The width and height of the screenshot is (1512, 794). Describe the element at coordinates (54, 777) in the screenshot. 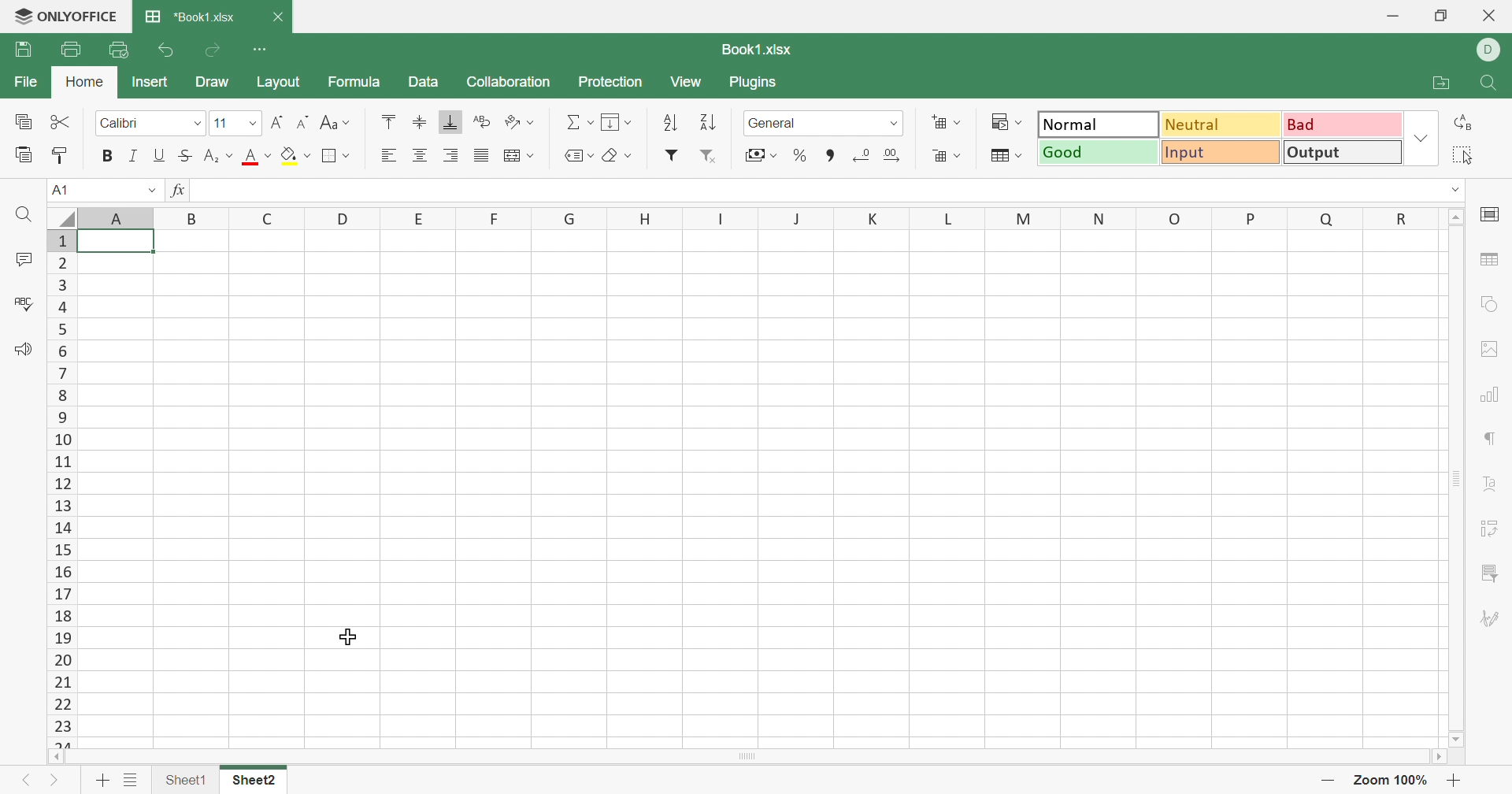

I see `Next` at that location.